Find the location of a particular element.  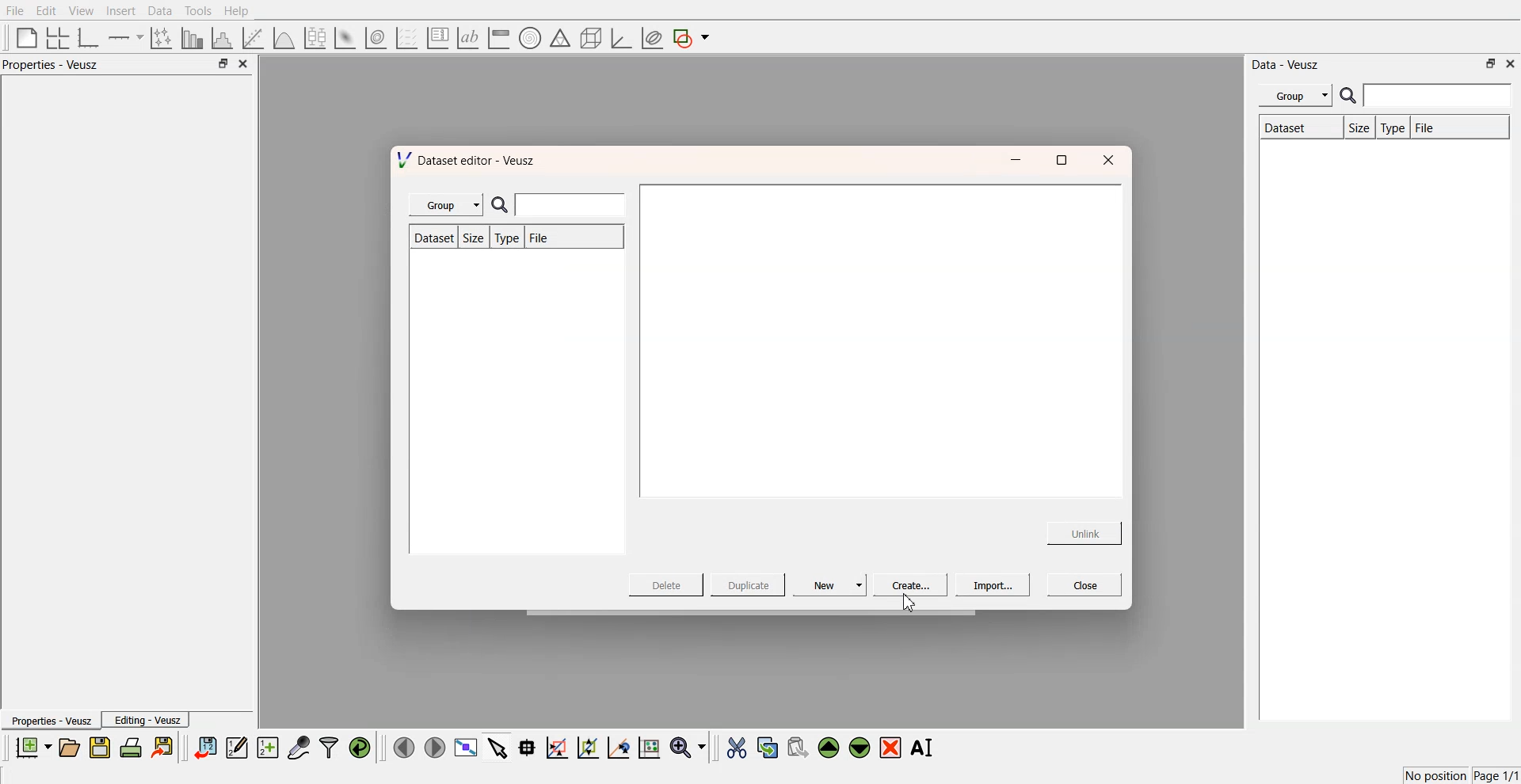

image color bar is located at coordinates (498, 39).